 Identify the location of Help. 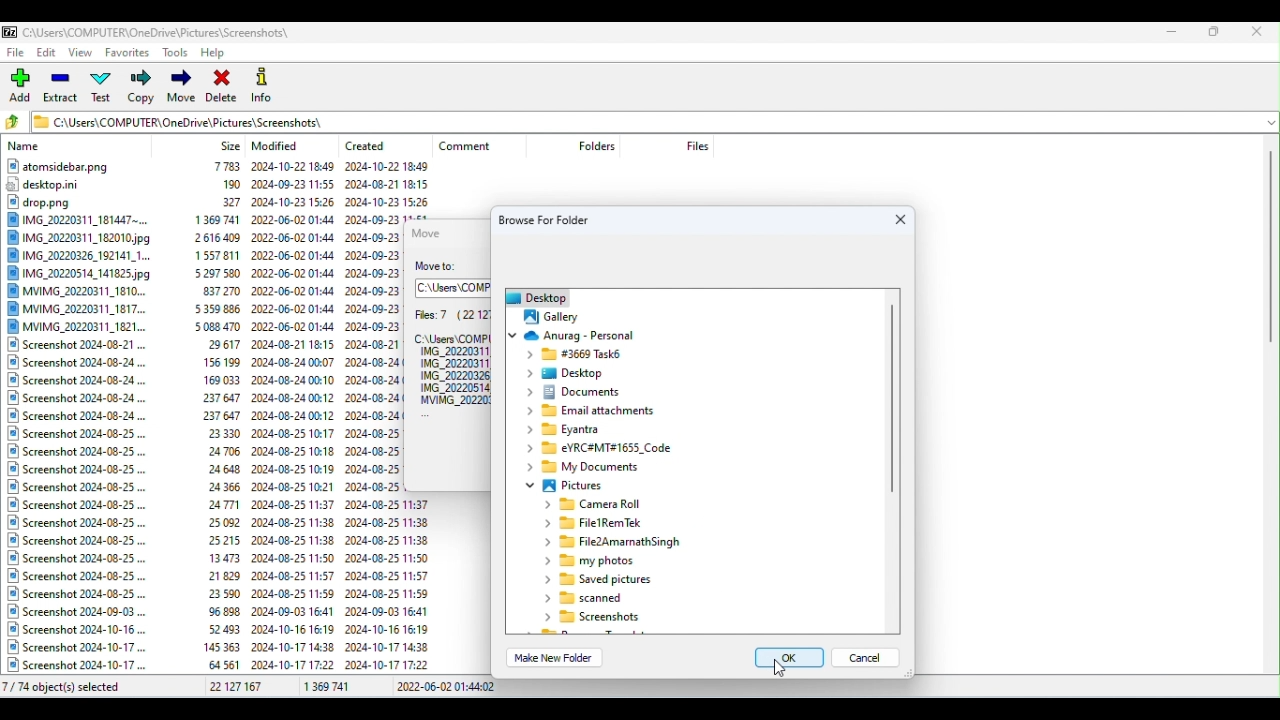
(218, 51).